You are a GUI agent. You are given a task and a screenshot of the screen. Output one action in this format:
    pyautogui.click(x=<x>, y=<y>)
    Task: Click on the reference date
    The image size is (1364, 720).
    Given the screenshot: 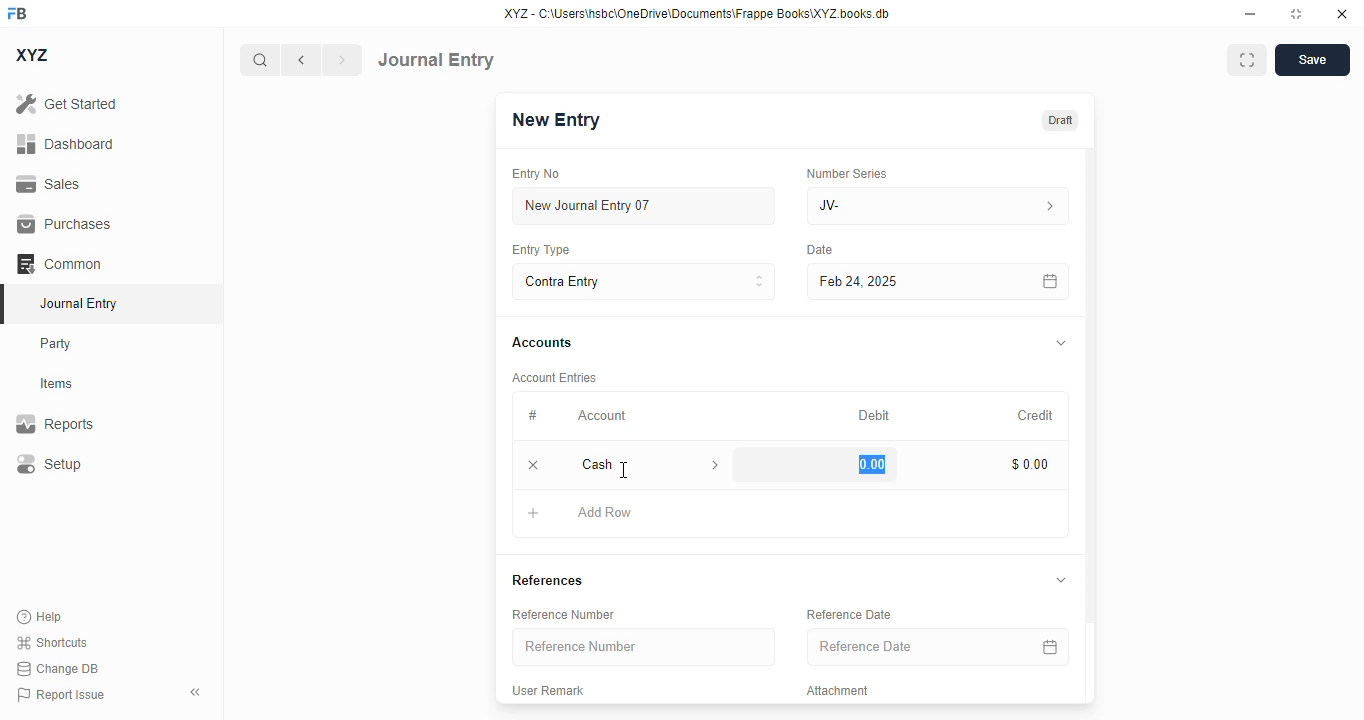 What is the action you would take?
    pyautogui.click(x=899, y=647)
    